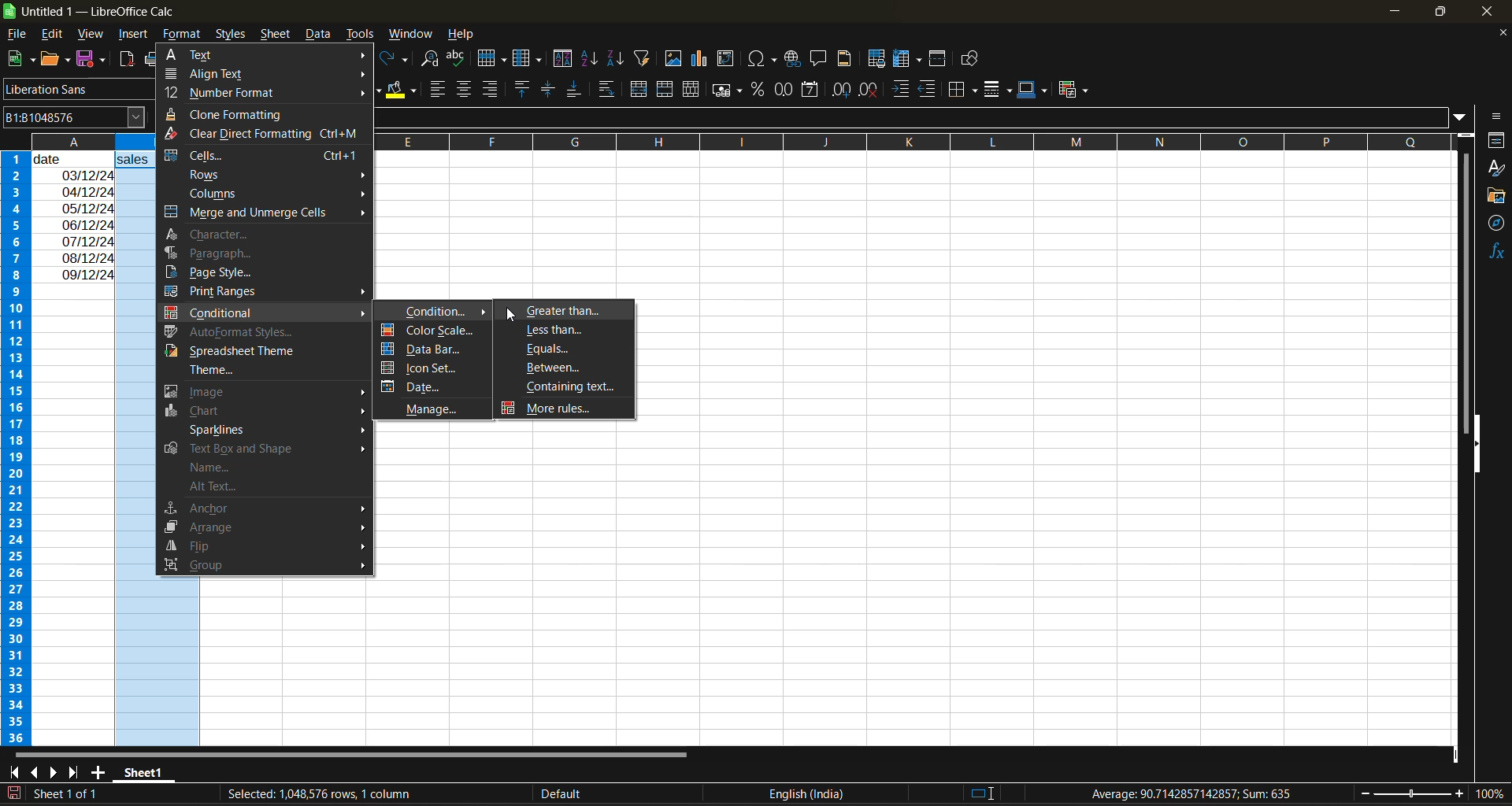 The image size is (1512, 806). I want to click on sheet name, so click(142, 773).